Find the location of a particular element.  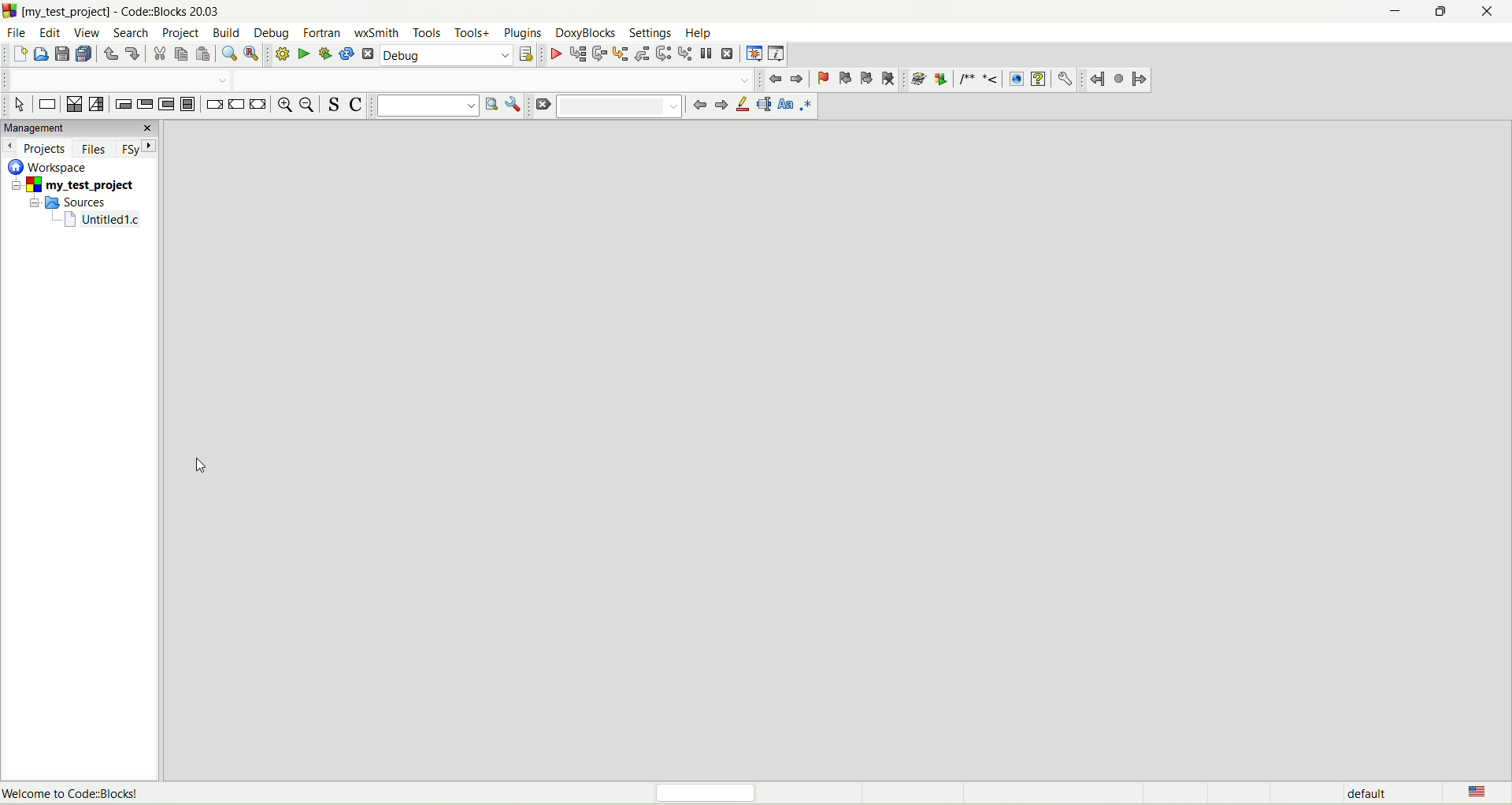

toggle bookmark is located at coordinates (822, 79).